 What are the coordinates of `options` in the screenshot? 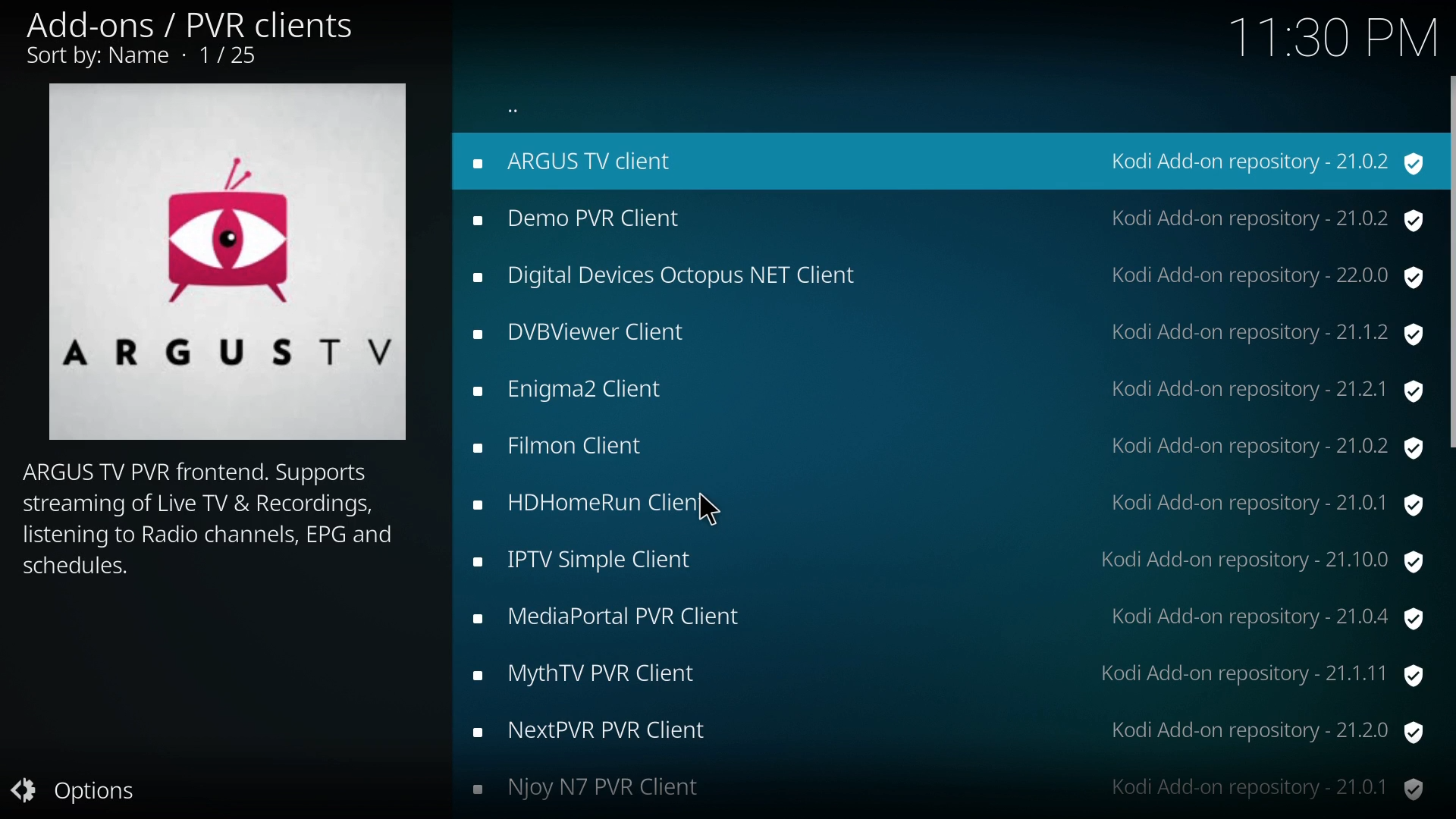 It's located at (88, 789).